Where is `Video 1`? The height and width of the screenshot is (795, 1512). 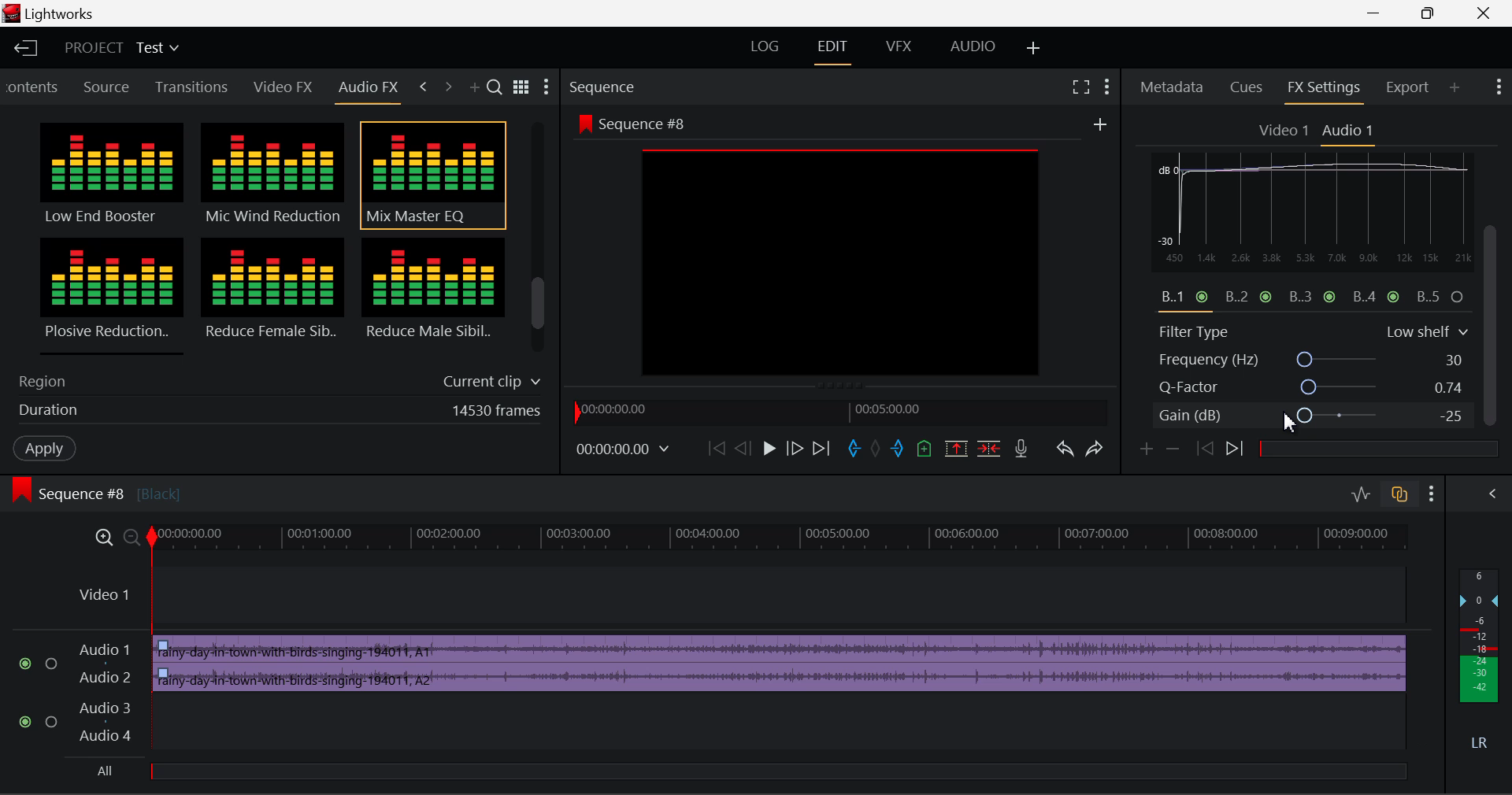
Video 1 is located at coordinates (1284, 131).